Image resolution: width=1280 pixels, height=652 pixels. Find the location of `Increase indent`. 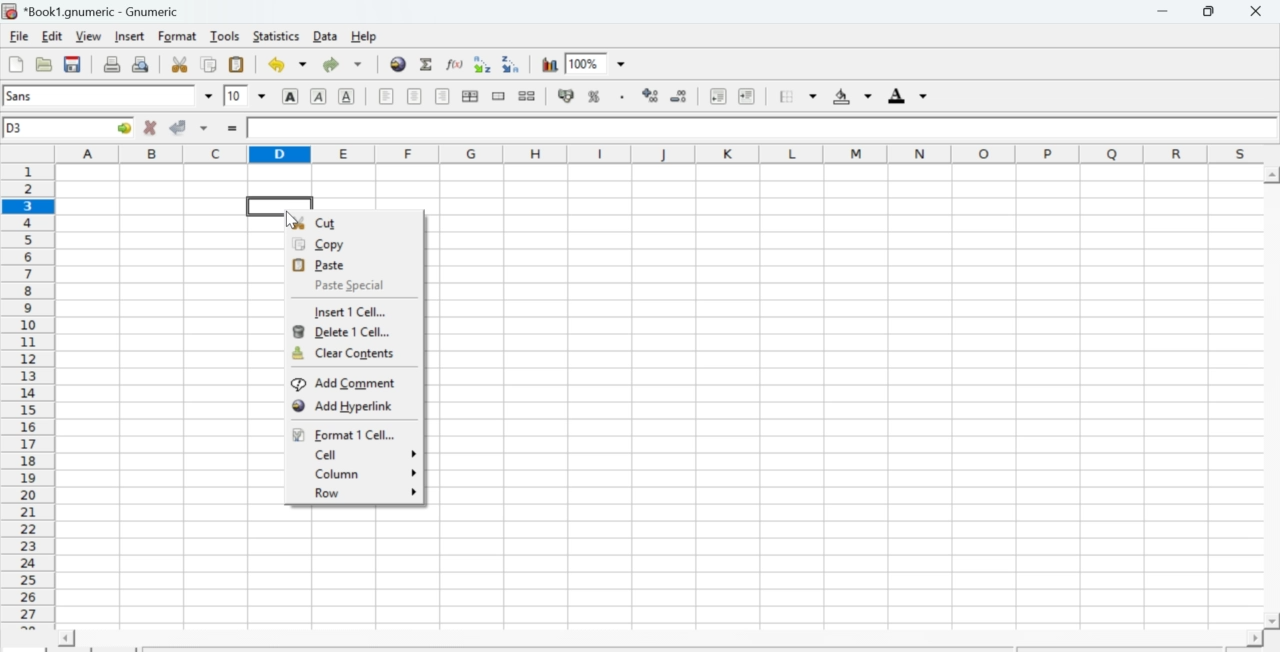

Increase indent is located at coordinates (751, 96).